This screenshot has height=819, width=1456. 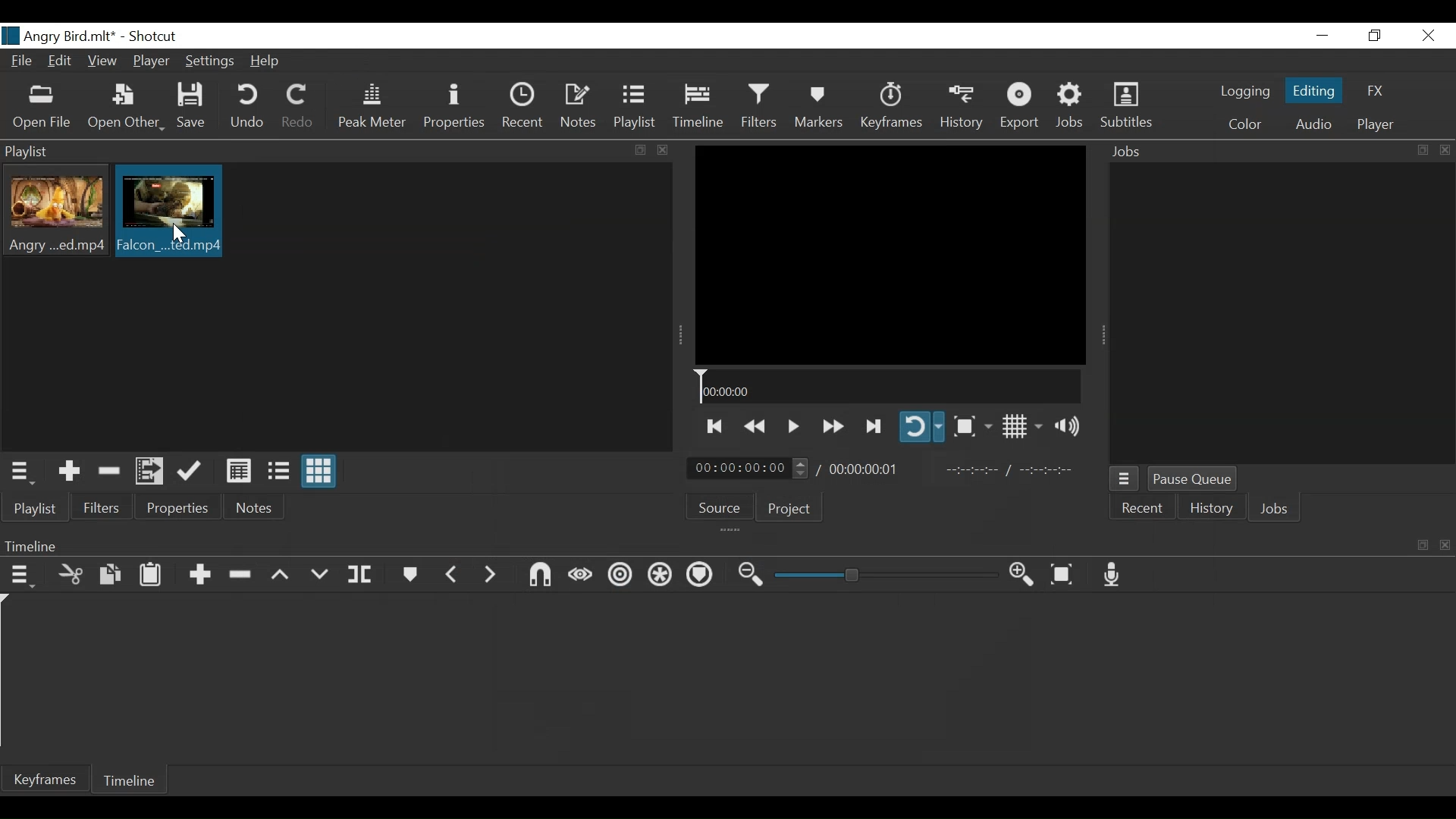 What do you see at coordinates (1126, 105) in the screenshot?
I see `Subtitles` at bounding box center [1126, 105].